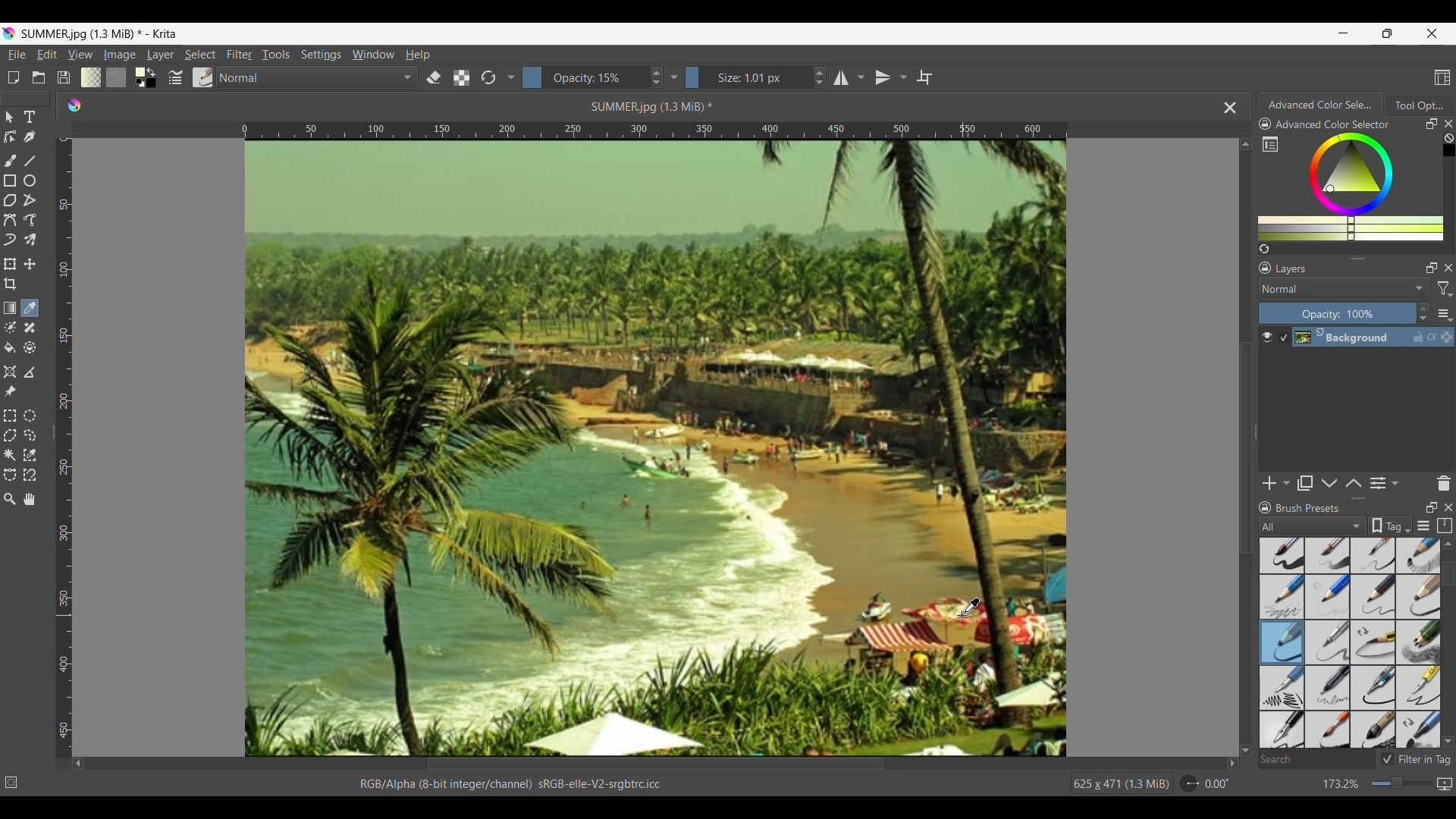 The height and width of the screenshot is (819, 1456). Describe the element at coordinates (903, 77) in the screenshot. I see `Vertical mirror tool settings` at that location.